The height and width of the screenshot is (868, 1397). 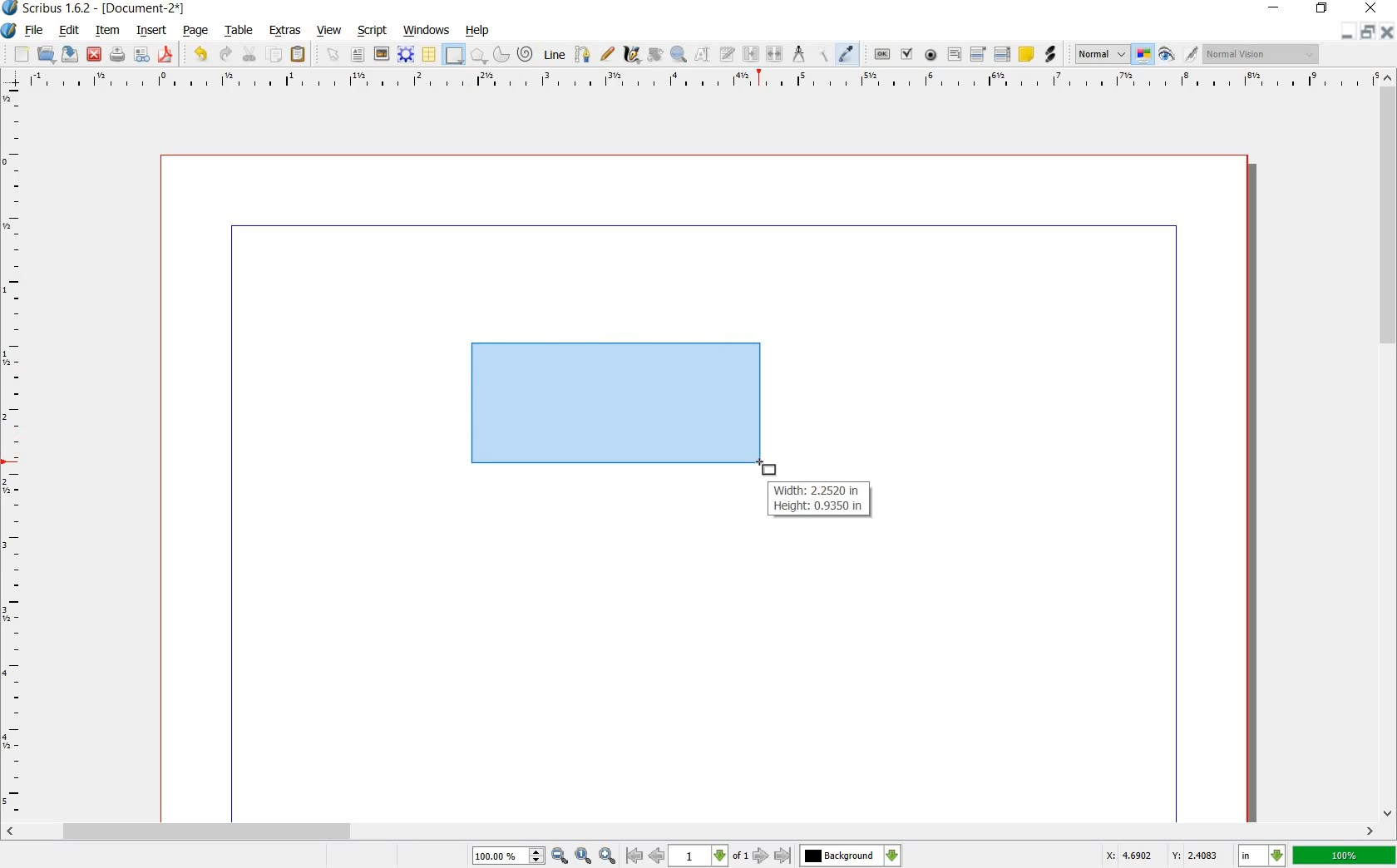 I want to click on MINIMIZE, so click(x=1272, y=8).